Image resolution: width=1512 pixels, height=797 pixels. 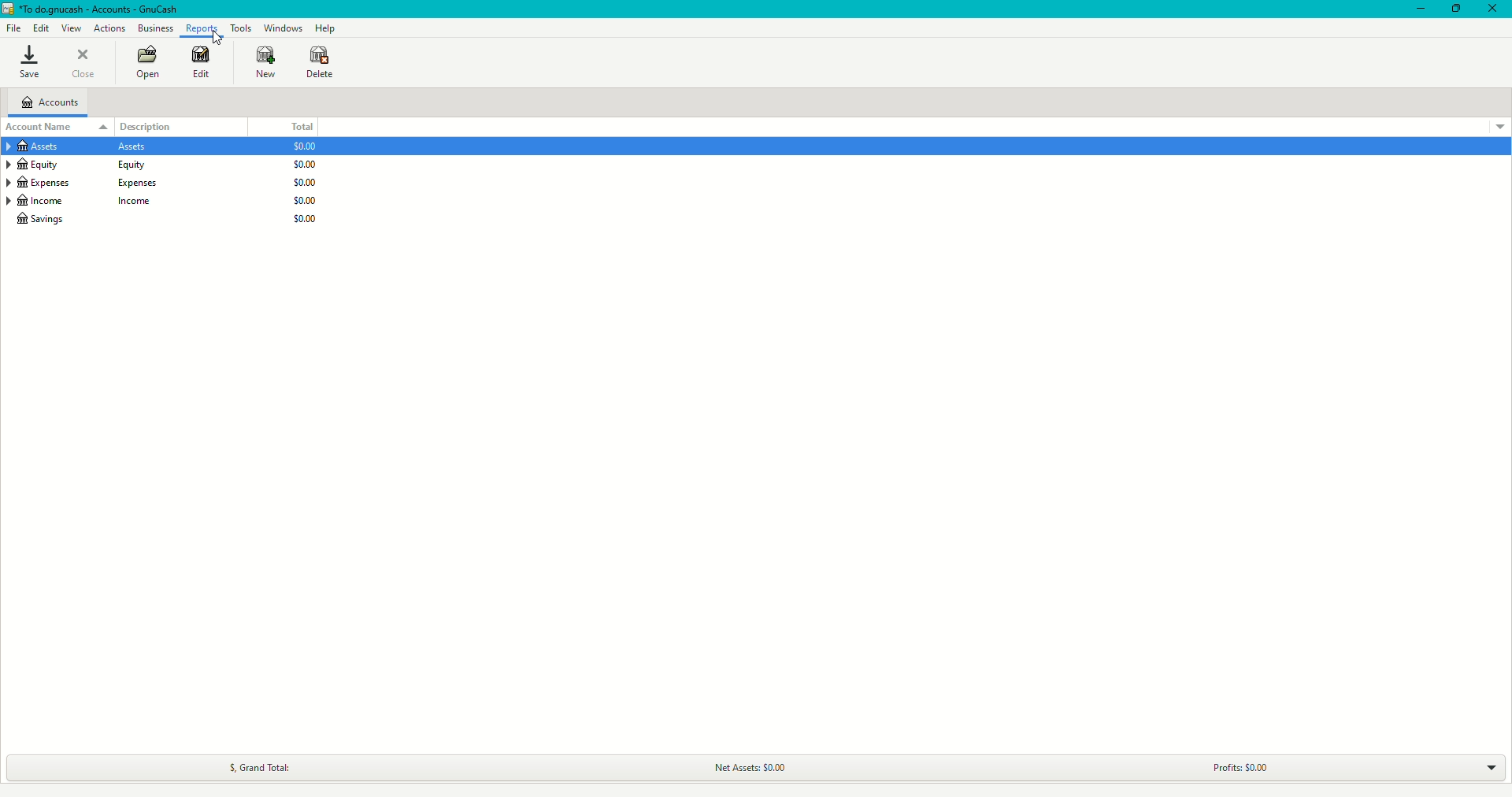 I want to click on Reports, so click(x=198, y=28).